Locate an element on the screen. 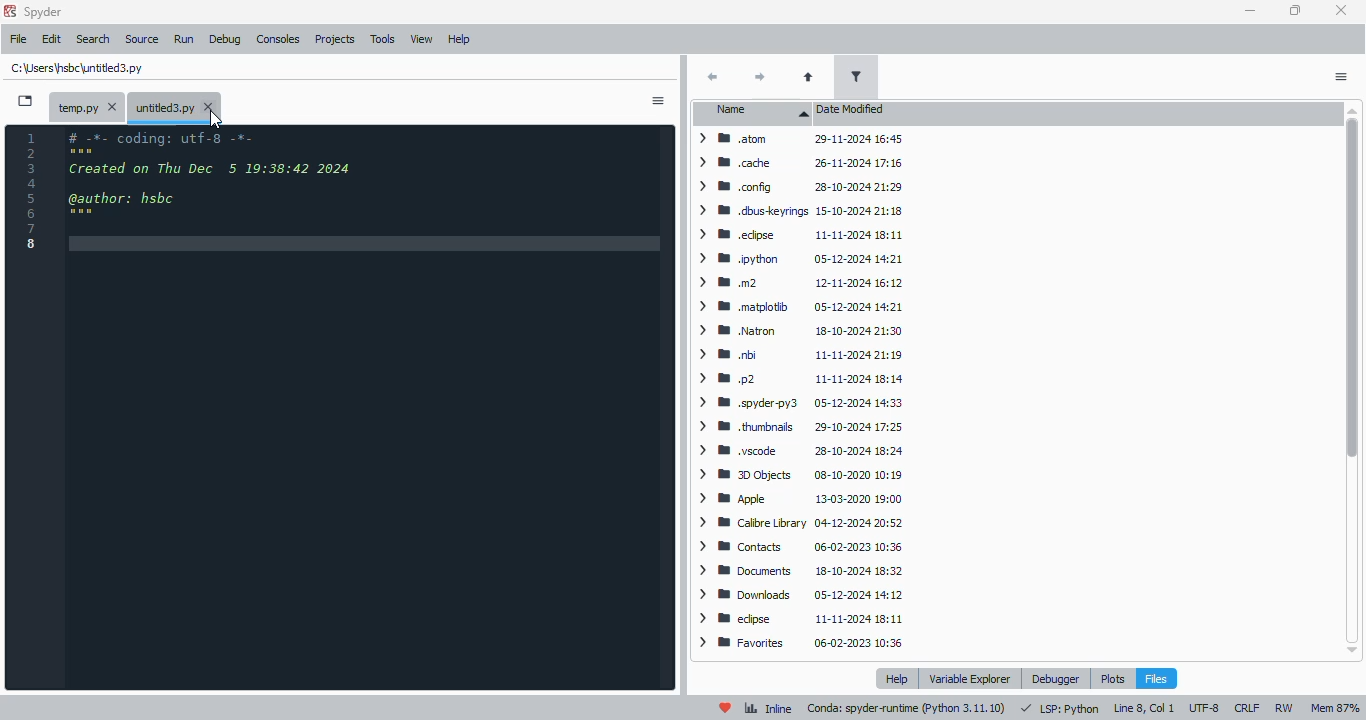 The image size is (1366, 720). > BB Calibre Library 04-12-2024 20:52 is located at coordinates (795, 522).